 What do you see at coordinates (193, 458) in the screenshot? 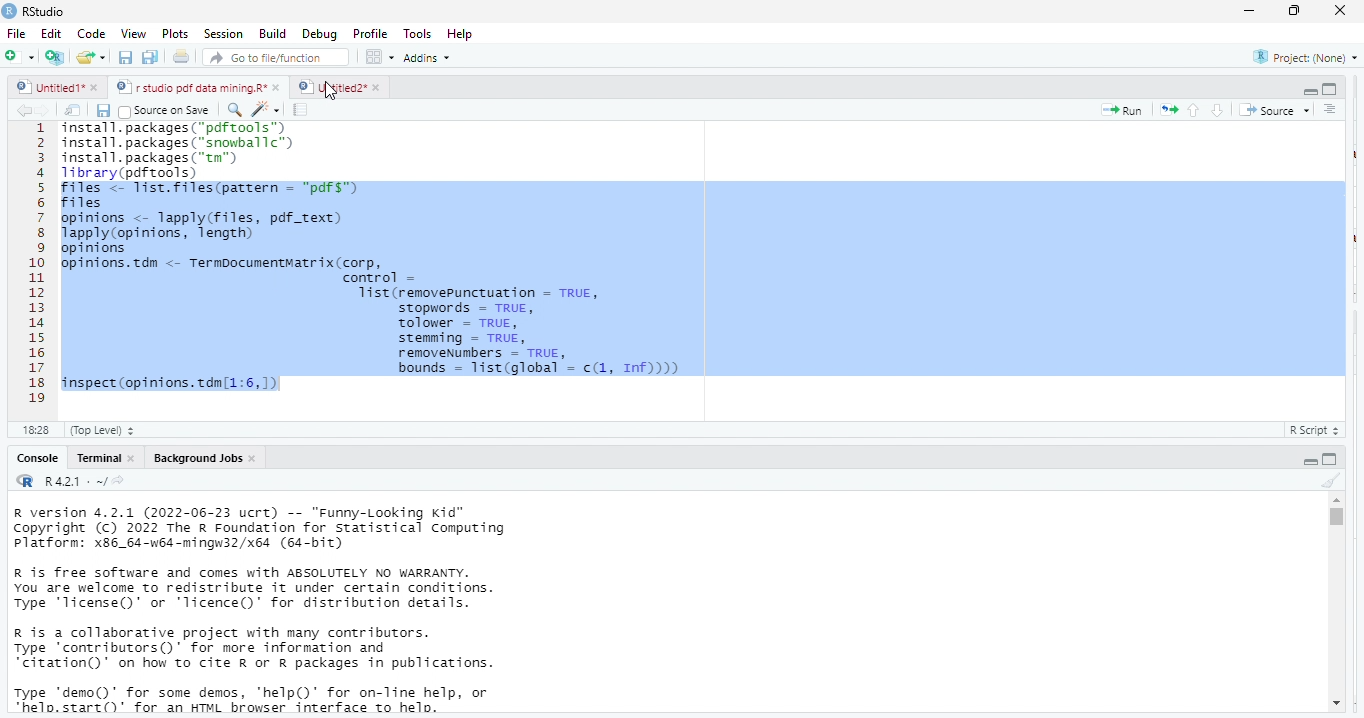
I see `background jobs` at bounding box center [193, 458].